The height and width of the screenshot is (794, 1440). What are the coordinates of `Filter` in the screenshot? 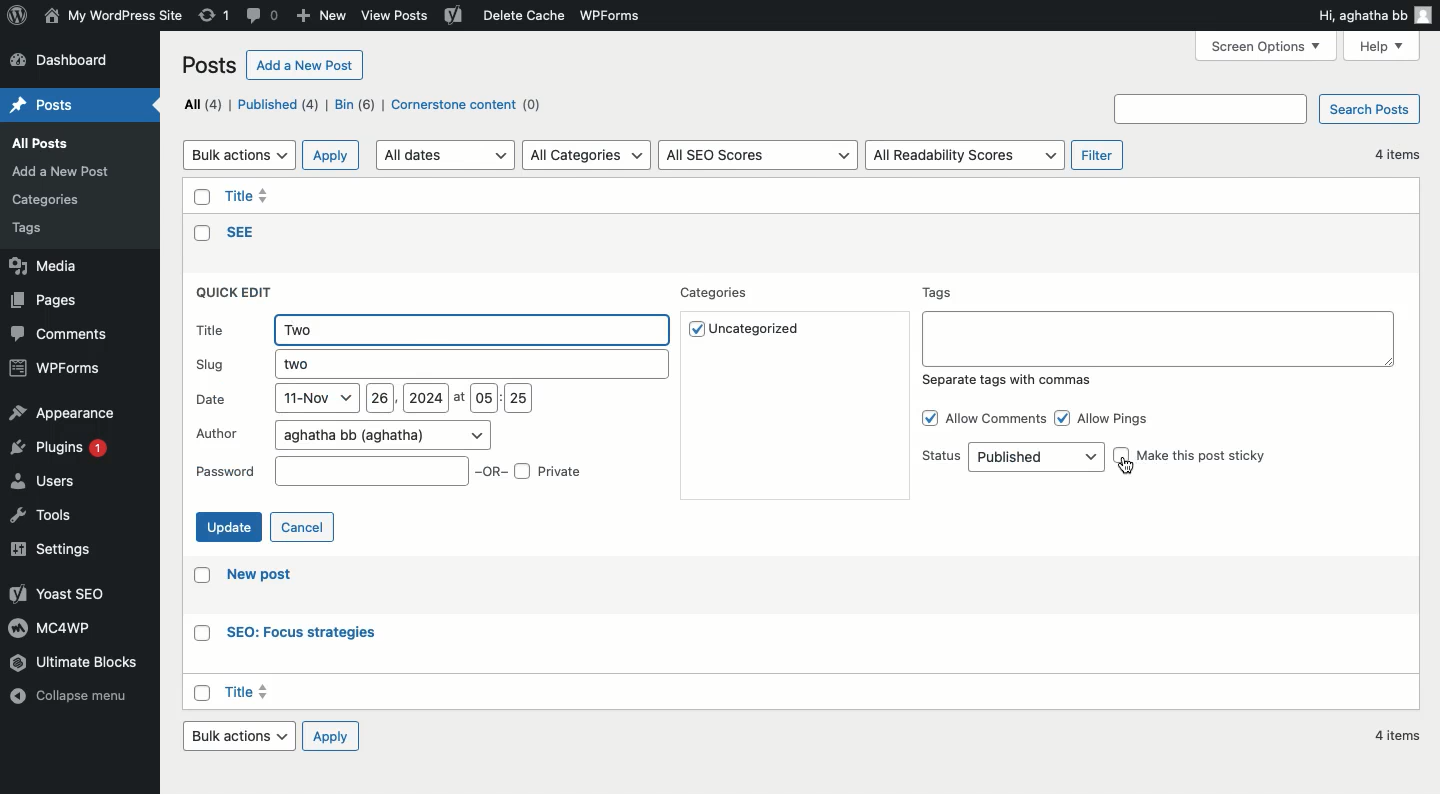 It's located at (1097, 155).